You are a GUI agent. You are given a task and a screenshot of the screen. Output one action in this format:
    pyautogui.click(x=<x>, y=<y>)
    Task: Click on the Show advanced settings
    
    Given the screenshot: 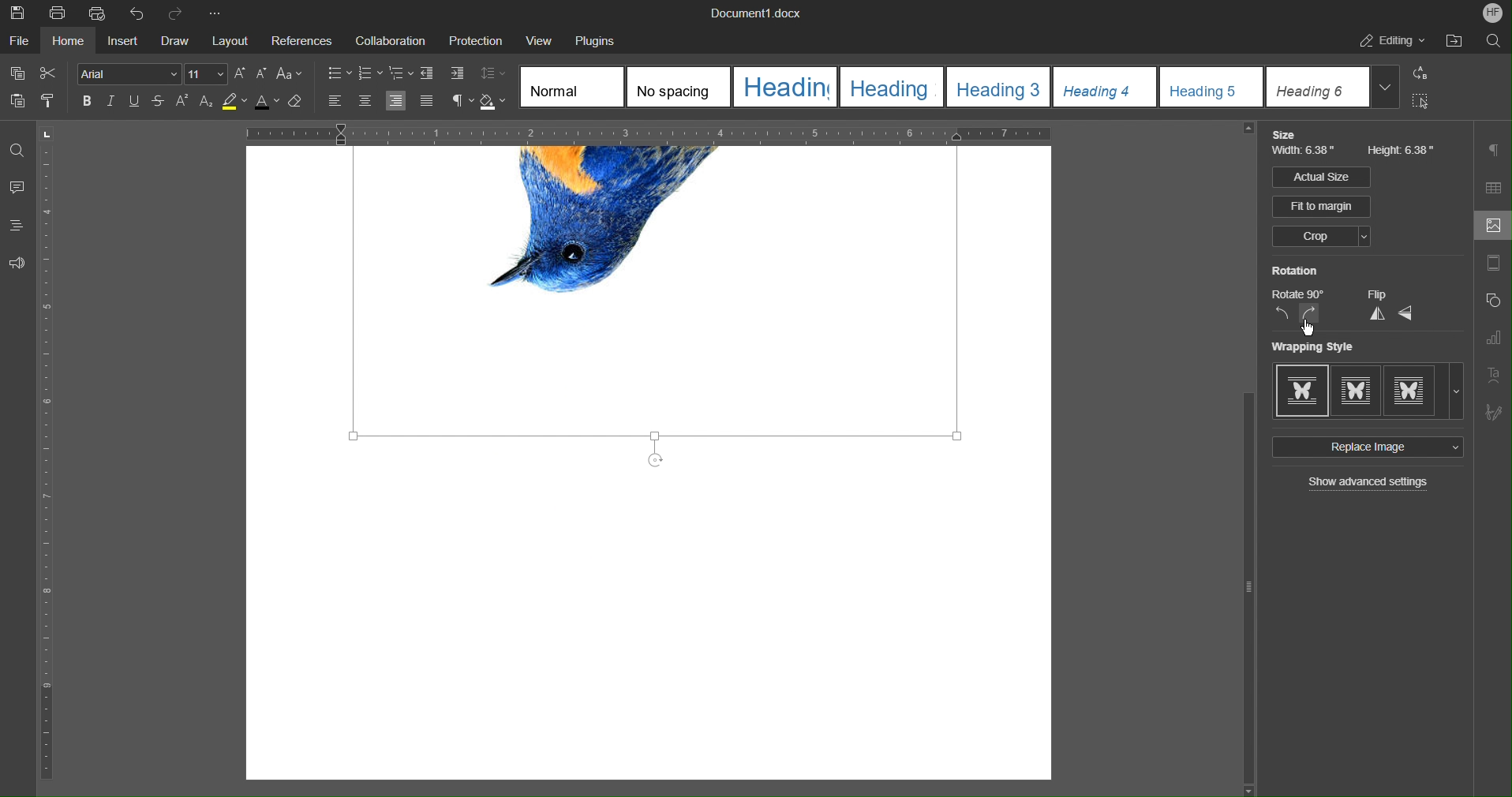 What is the action you would take?
    pyautogui.click(x=1367, y=485)
    